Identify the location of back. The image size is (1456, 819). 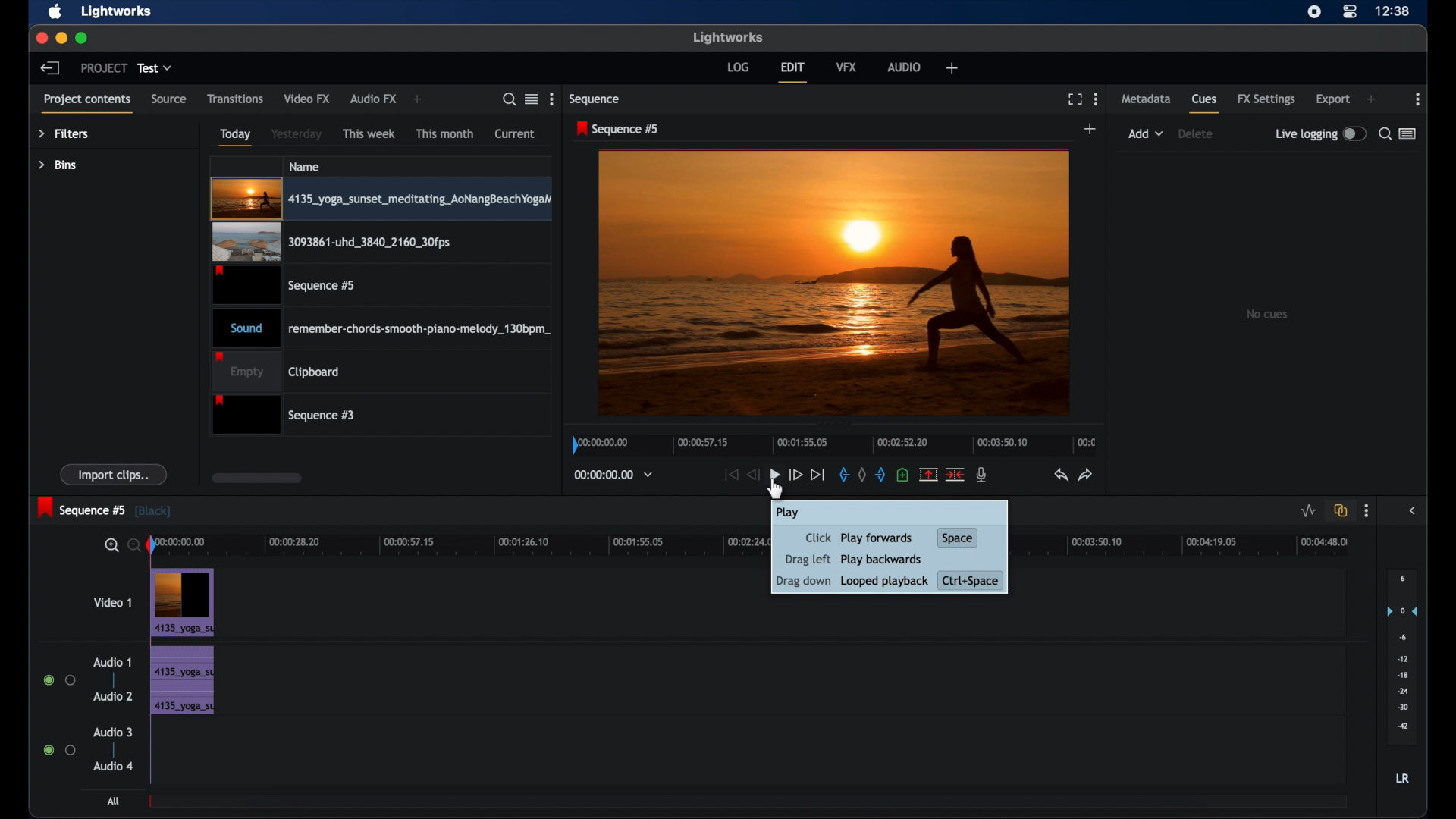
(52, 68).